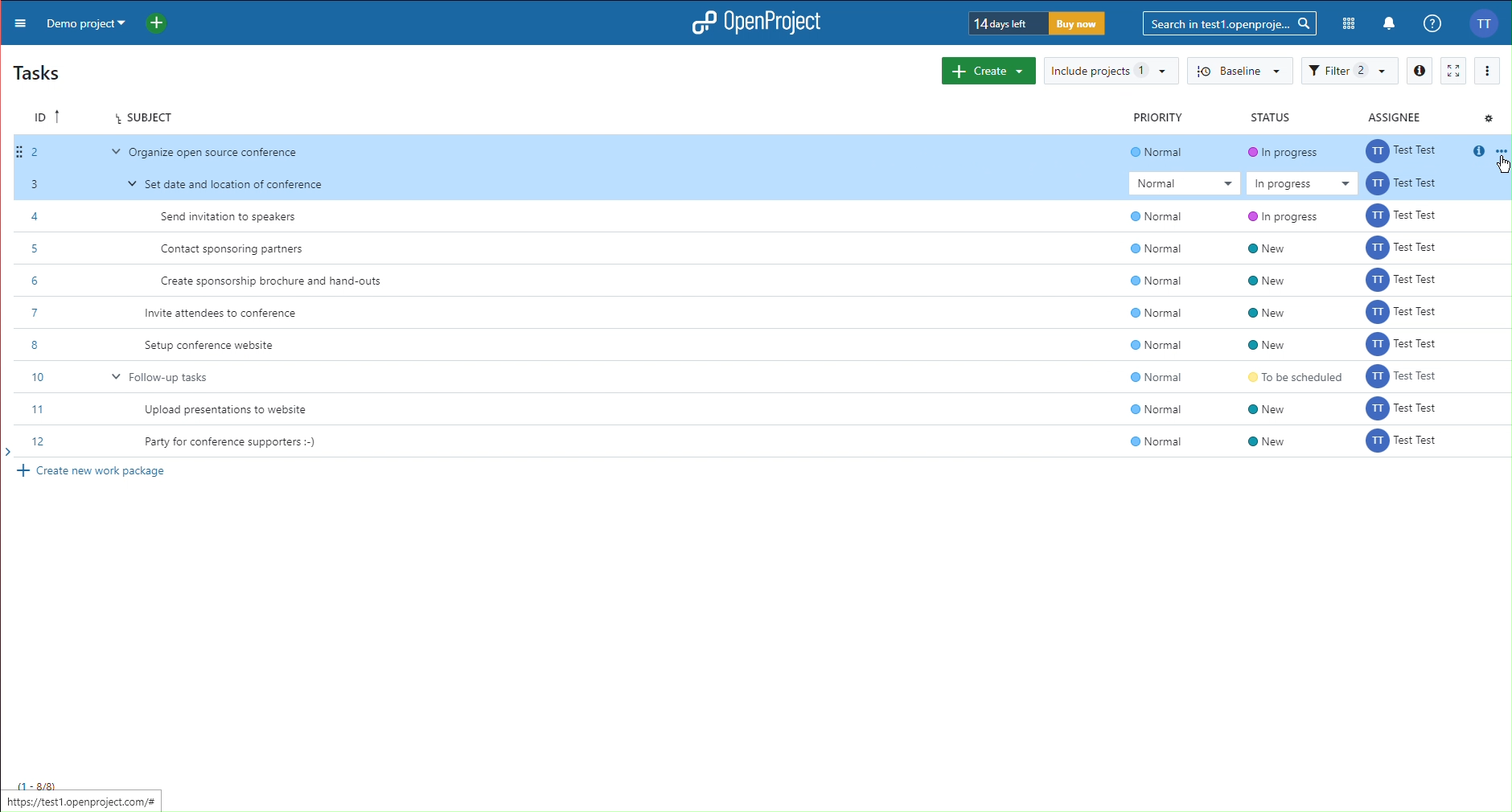 The width and height of the screenshot is (1512, 812). Describe the element at coordinates (1281, 377) in the screenshot. I see `to be scheduled` at that location.